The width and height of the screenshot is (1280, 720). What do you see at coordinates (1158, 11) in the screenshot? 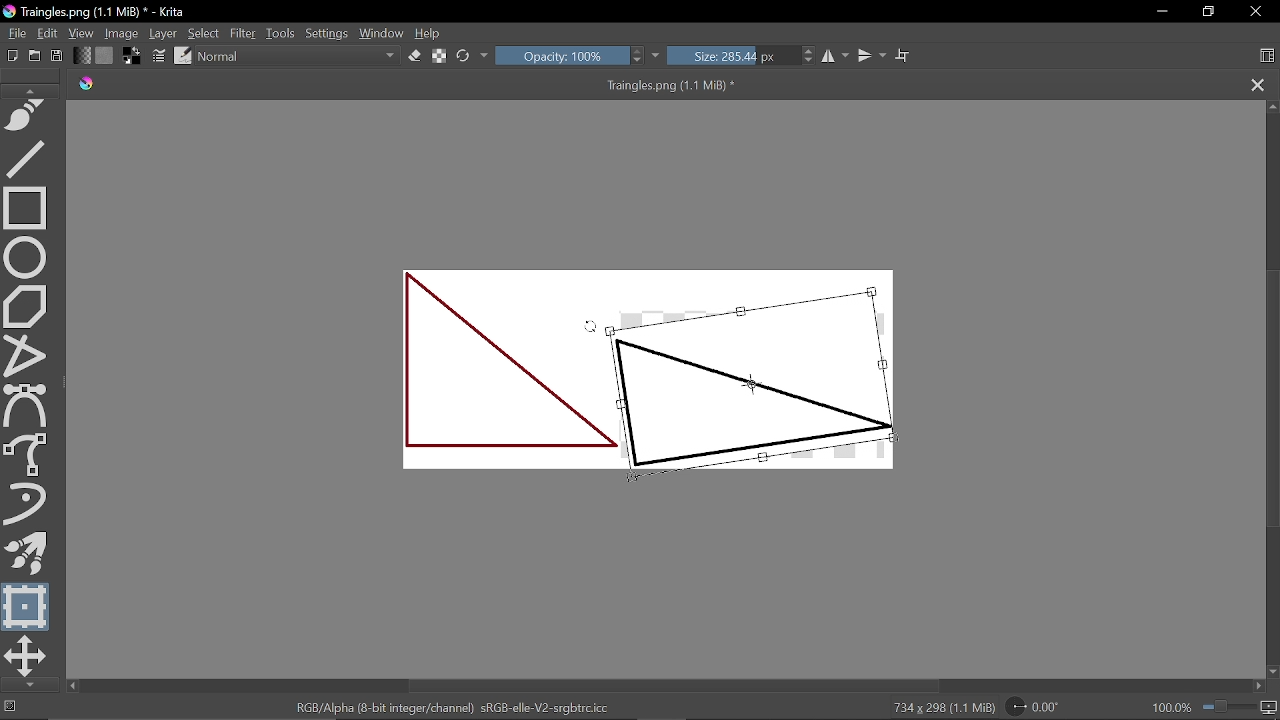
I see `Minimize` at bounding box center [1158, 11].